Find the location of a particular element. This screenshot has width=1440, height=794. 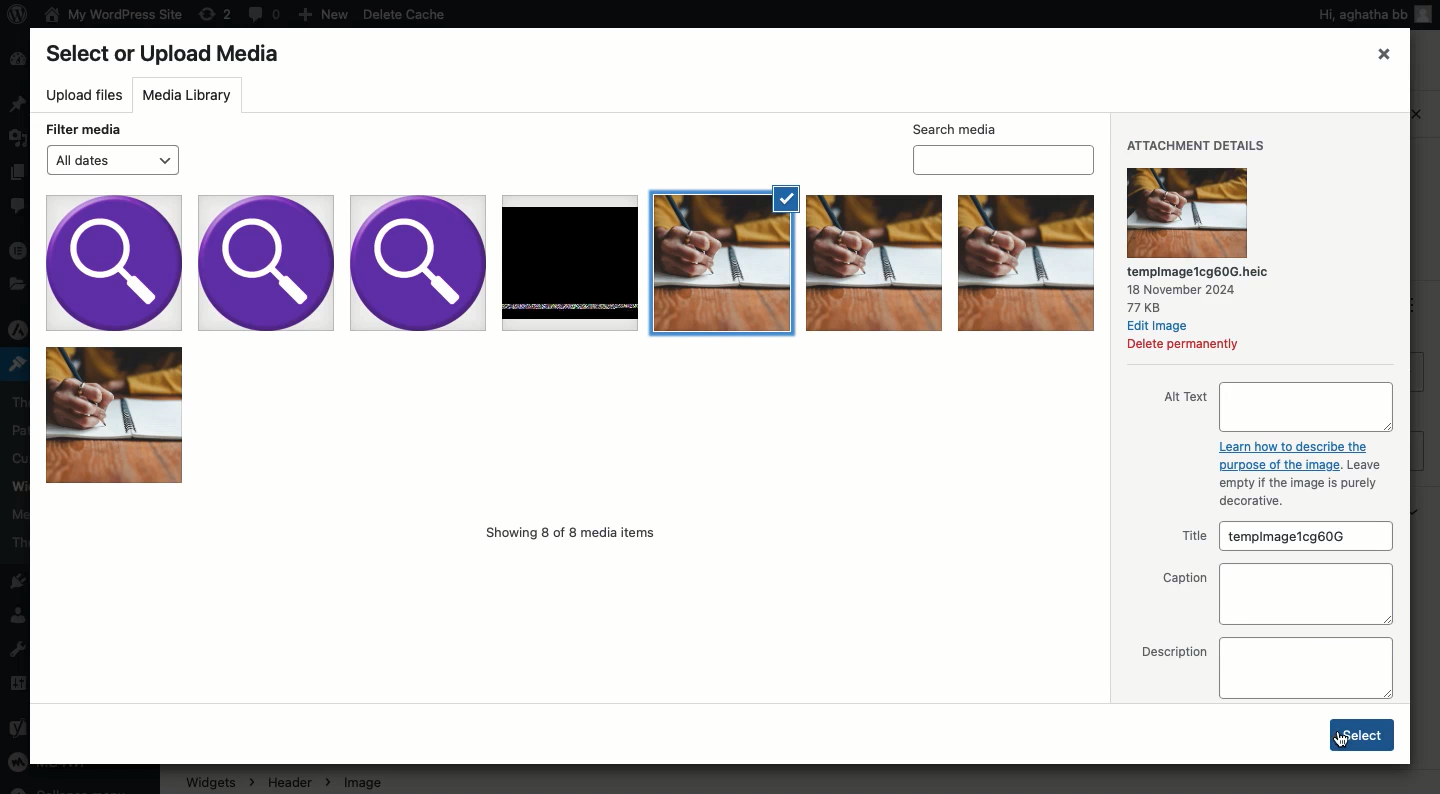

Media library is located at coordinates (190, 94).